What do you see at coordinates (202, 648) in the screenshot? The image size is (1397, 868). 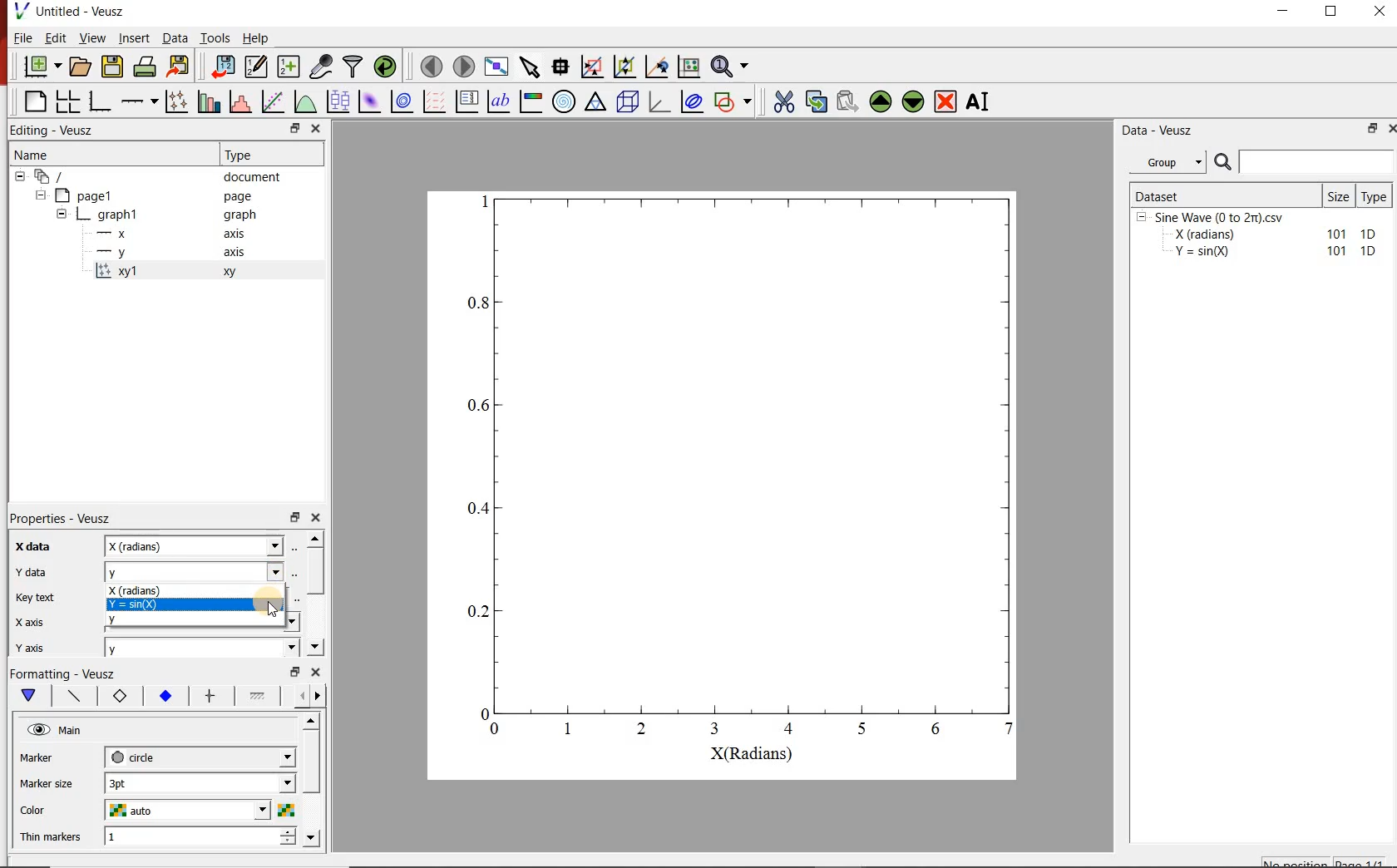 I see `y` at bounding box center [202, 648].